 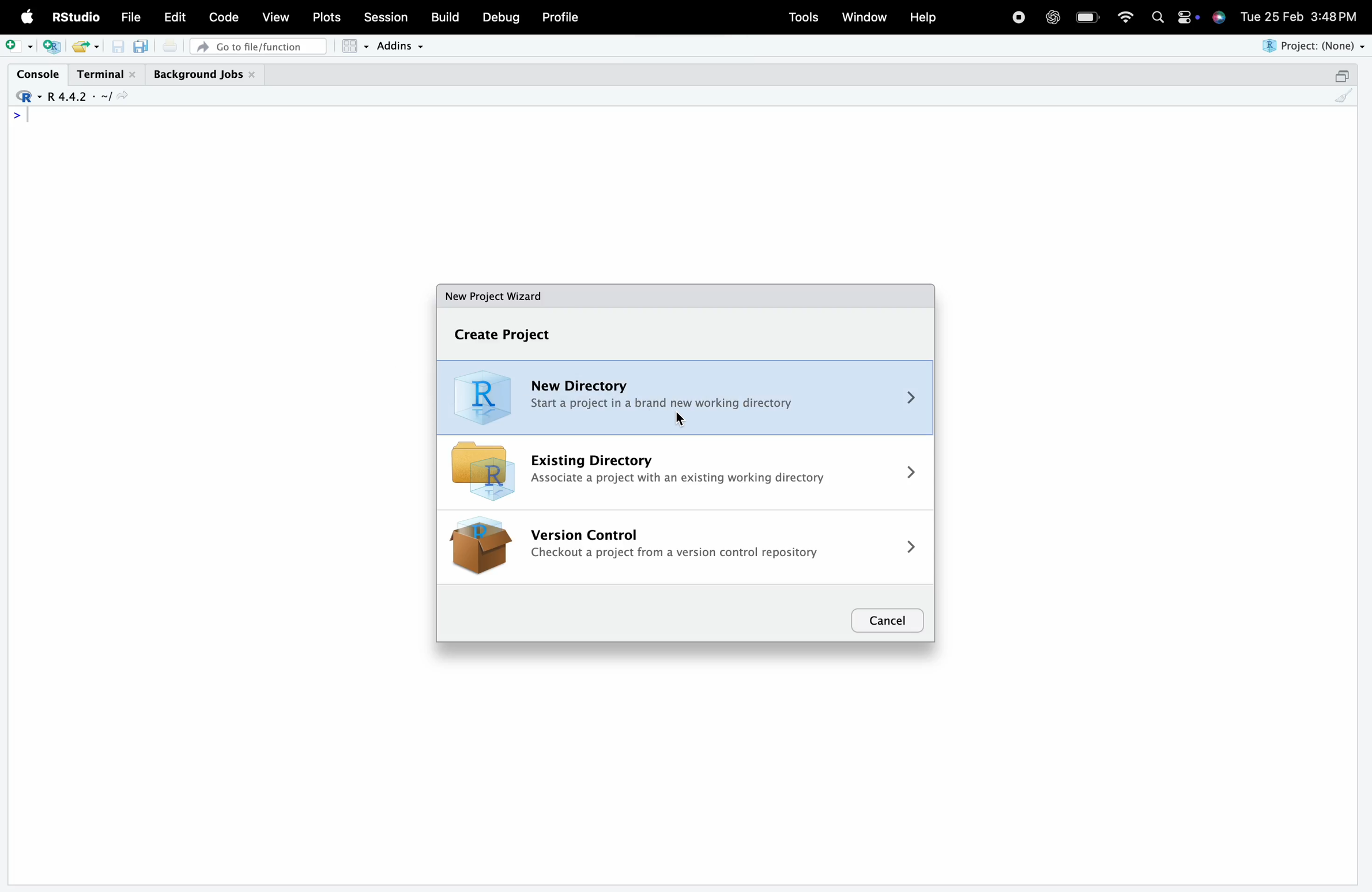 What do you see at coordinates (1087, 17) in the screenshot?
I see `battery` at bounding box center [1087, 17].